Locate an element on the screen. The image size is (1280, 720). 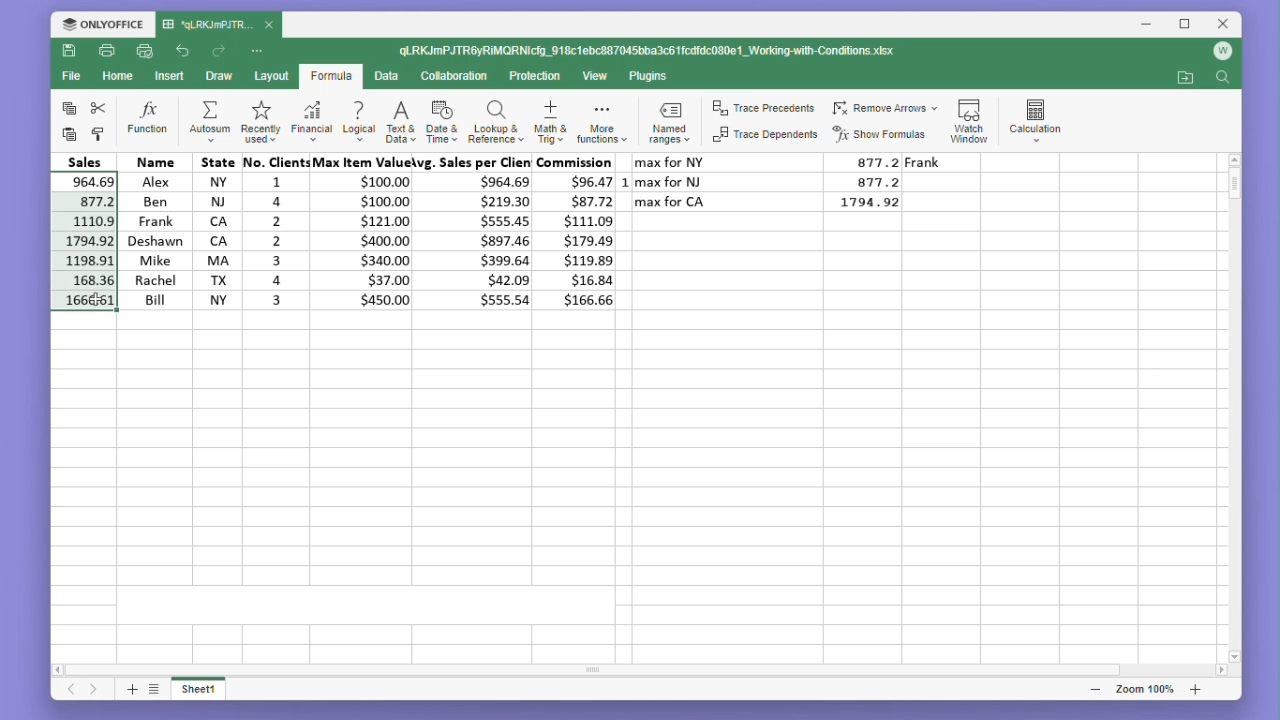
Logical is located at coordinates (358, 120).